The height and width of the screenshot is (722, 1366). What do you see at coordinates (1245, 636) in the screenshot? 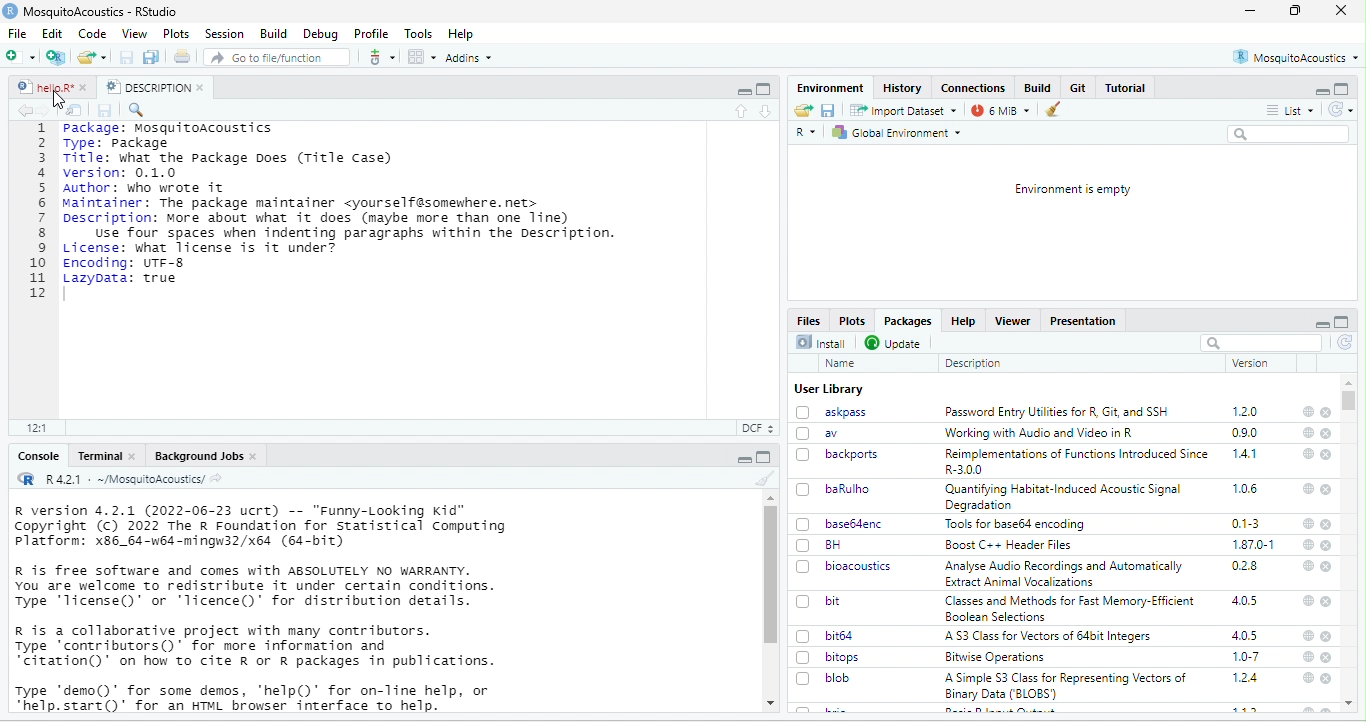
I see `4.0.5` at bounding box center [1245, 636].